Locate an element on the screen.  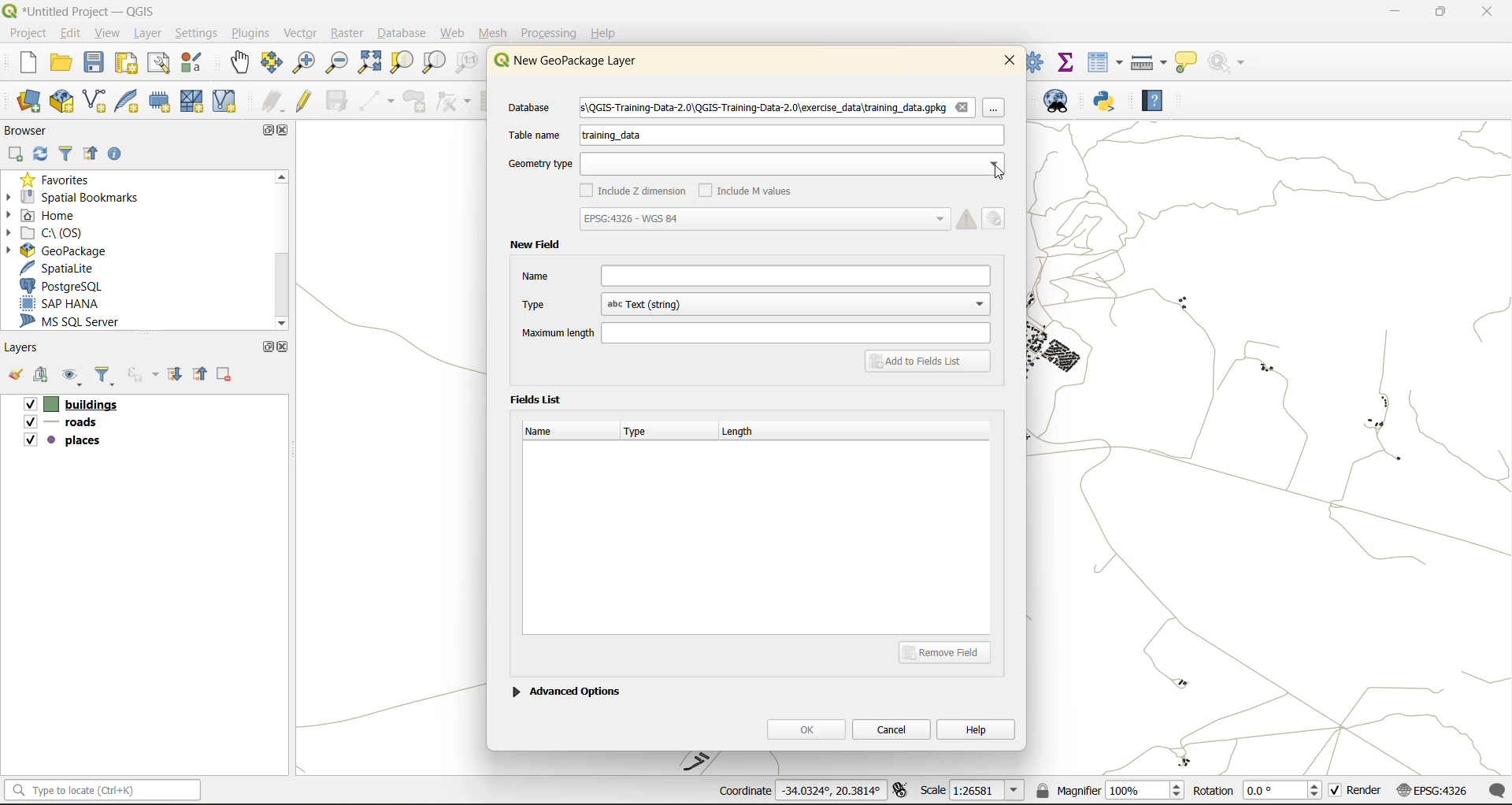
mesh is located at coordinates (194, 101).